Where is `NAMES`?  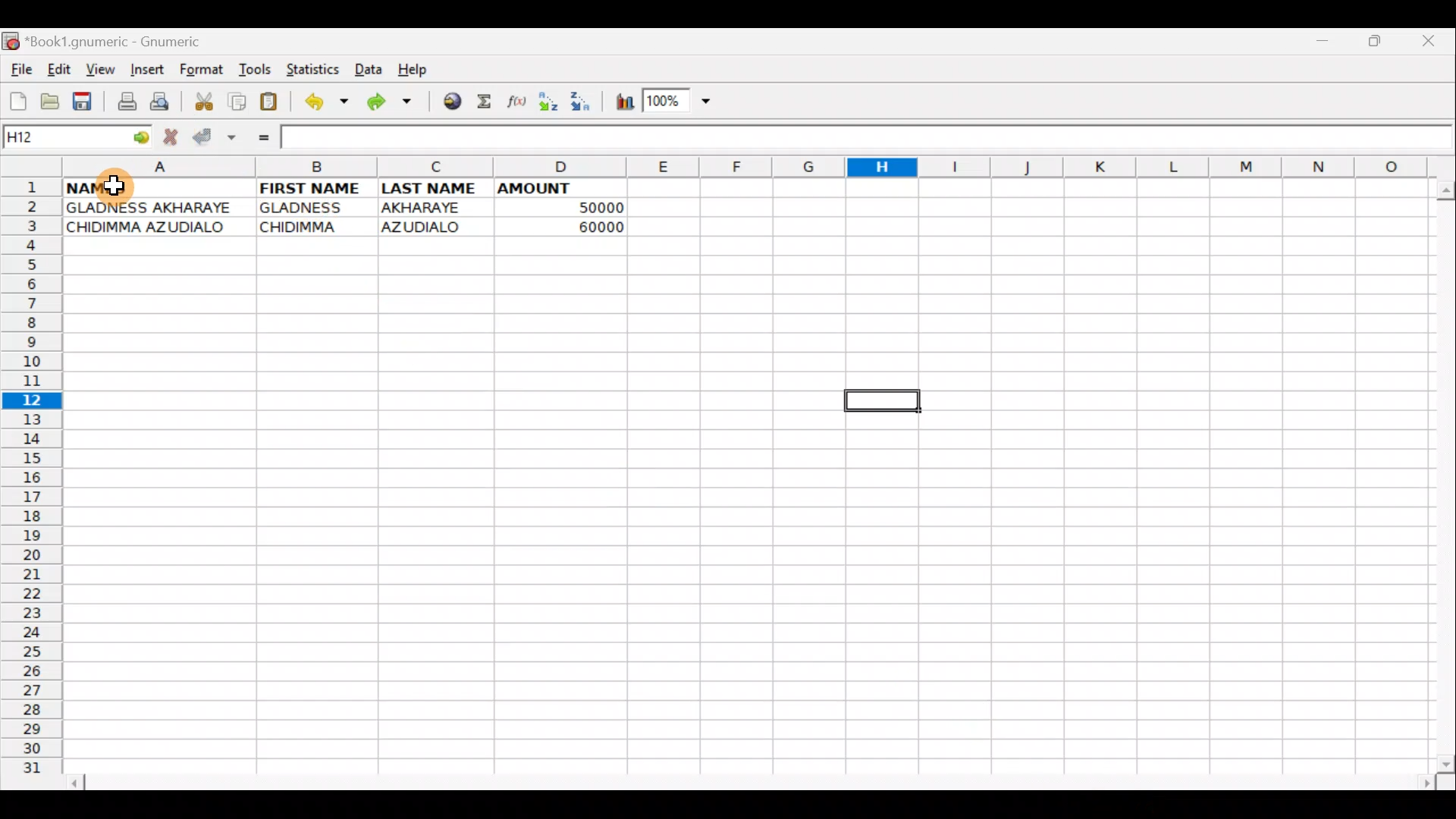 NAMES is located at coordinates (95, 189).